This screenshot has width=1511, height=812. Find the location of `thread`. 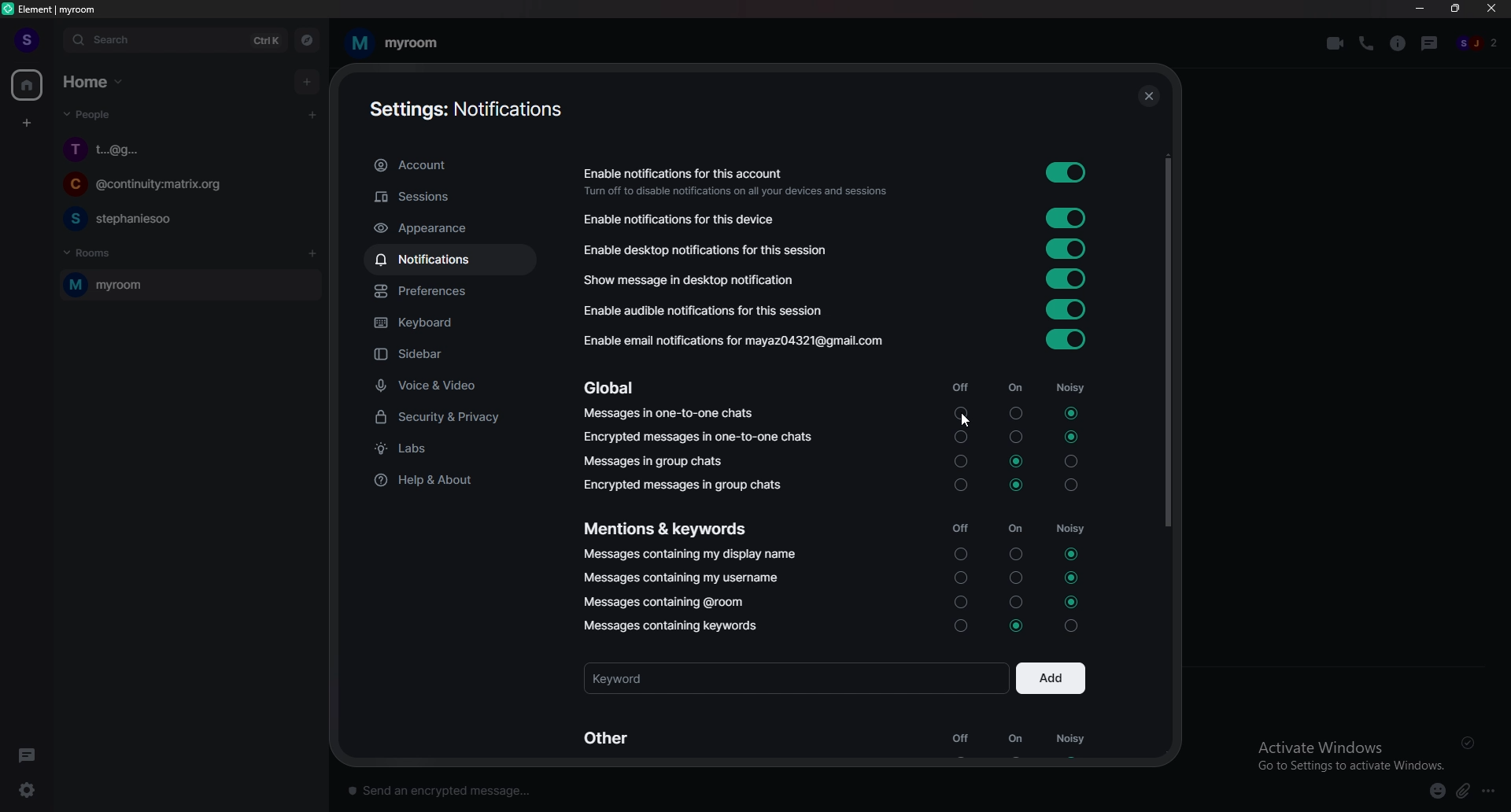

thread is located at coordinates (1430, 44).